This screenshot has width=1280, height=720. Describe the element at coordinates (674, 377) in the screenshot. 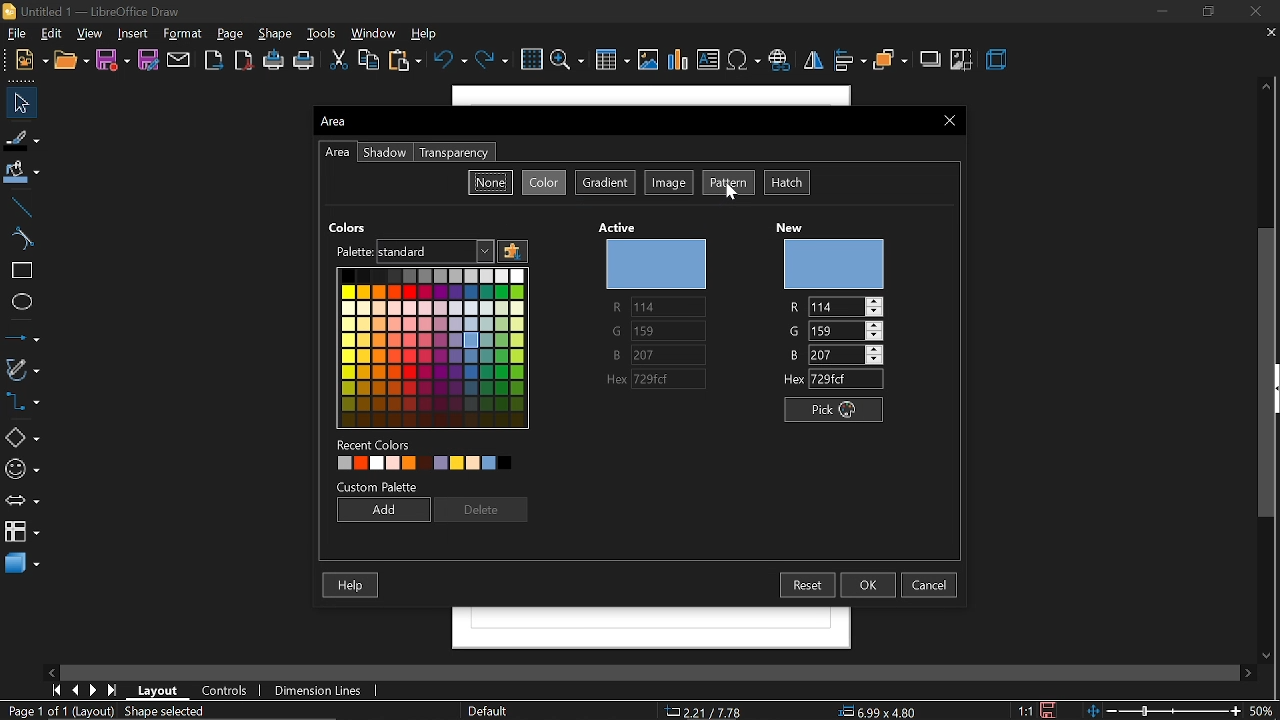

I see `729fcf` at that location.